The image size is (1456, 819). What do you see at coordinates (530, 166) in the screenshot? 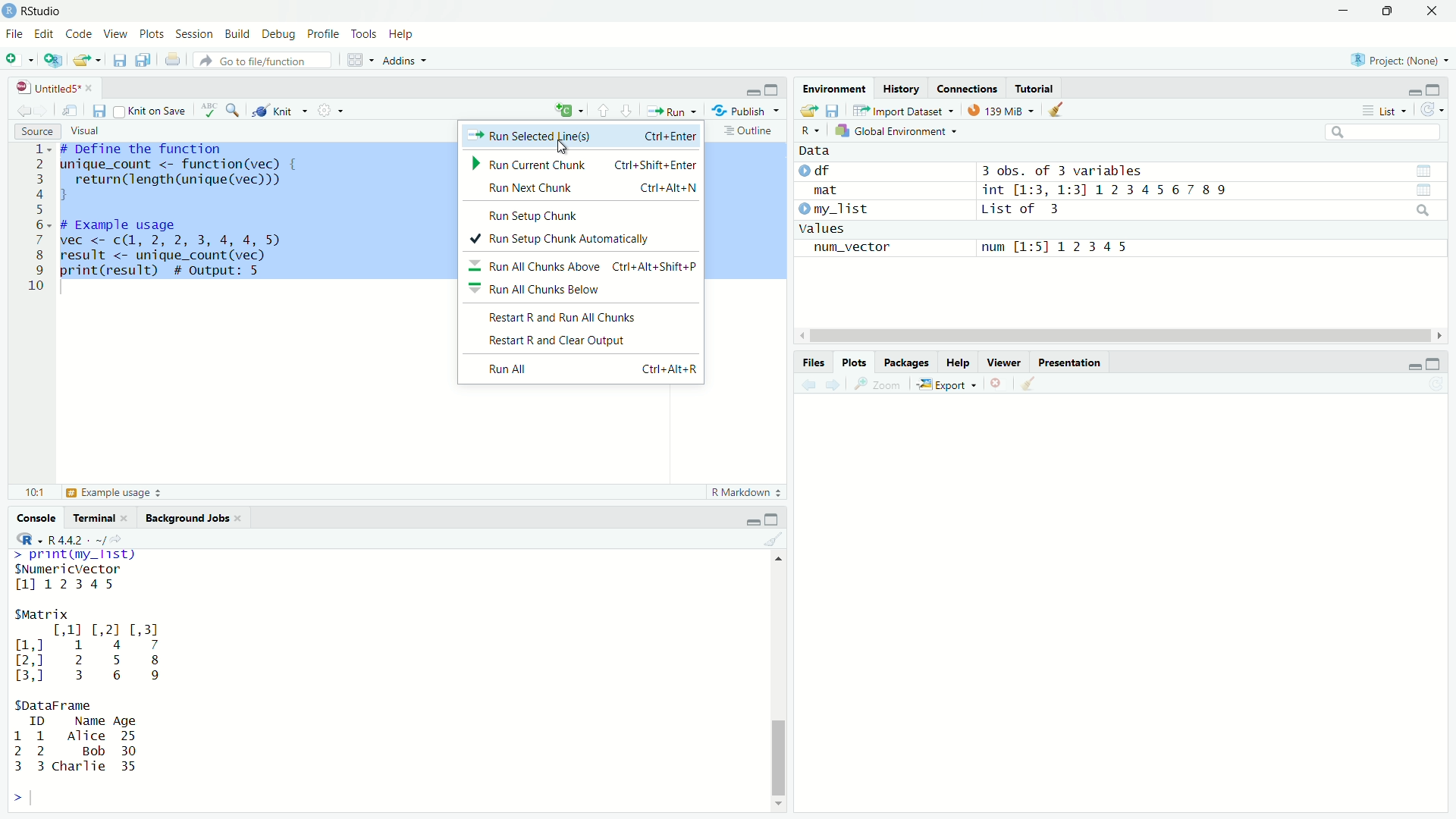
I see `Run Current Chunk` at bounding box center [530, 166].